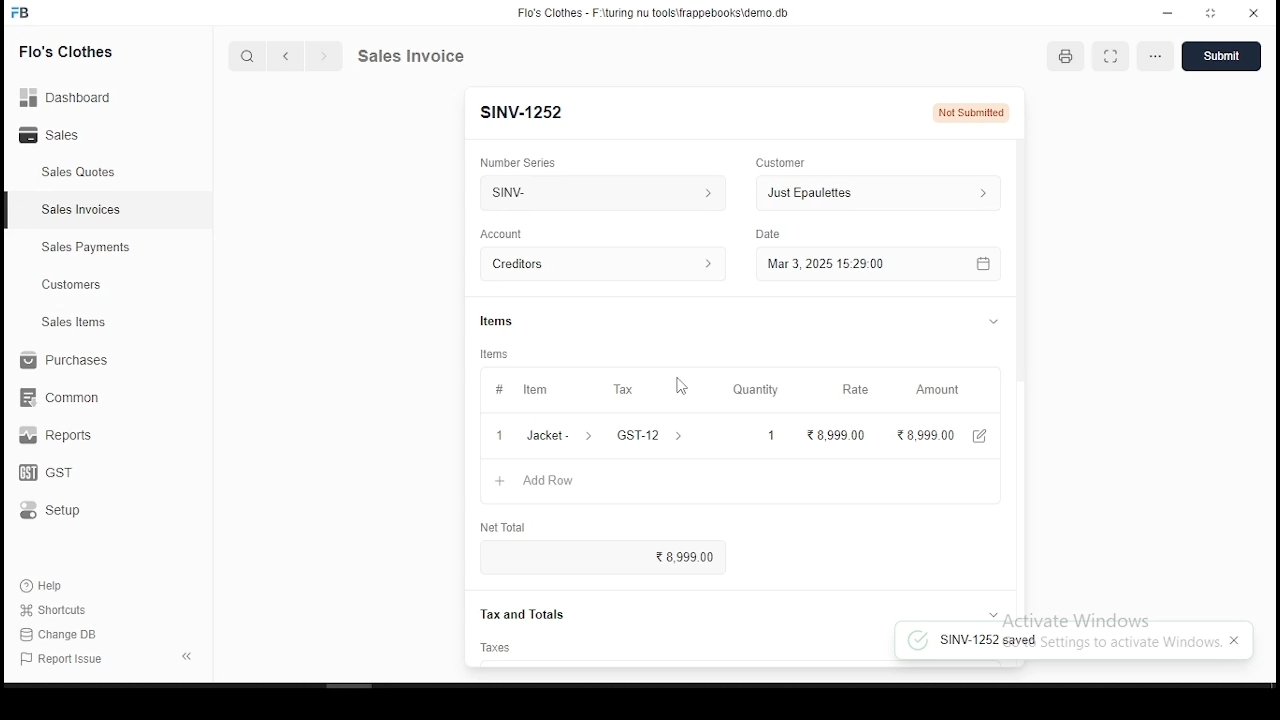  Describe the element at coordinates (523, 156) in the screenshot. I see `number series` at that location.